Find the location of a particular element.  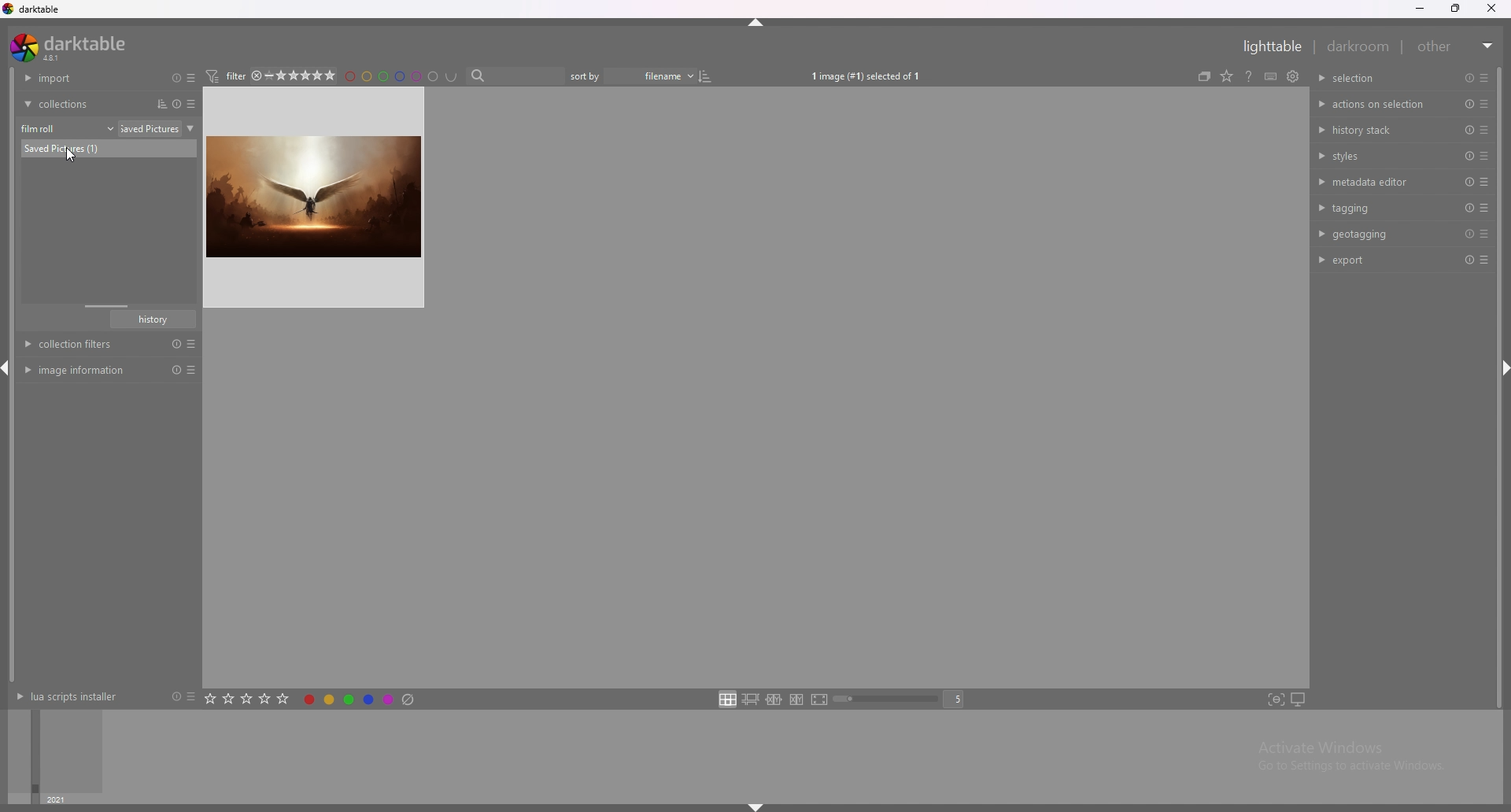

styles is located at coordinates (1380, 155).